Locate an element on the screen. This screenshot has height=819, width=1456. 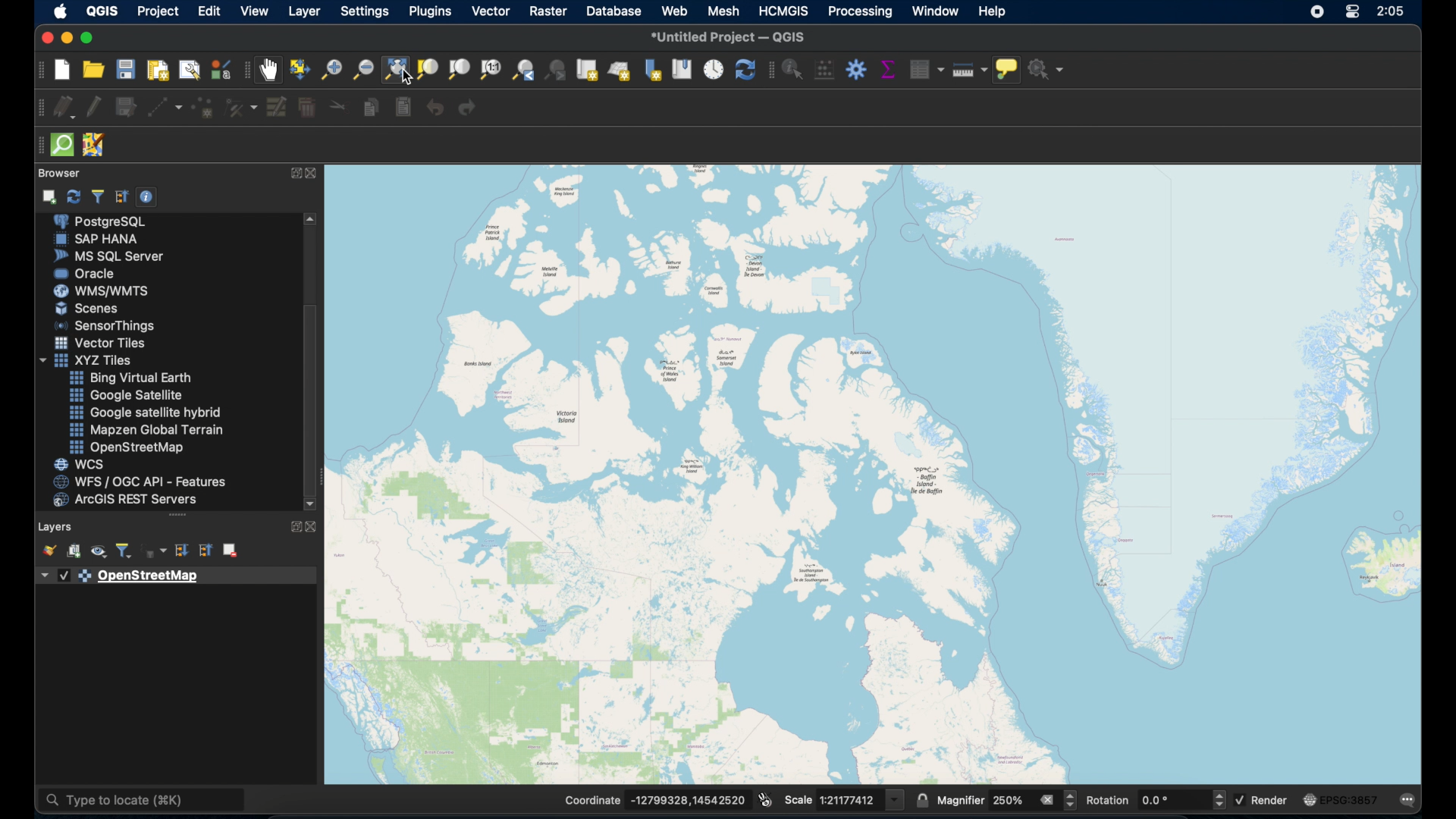
browser is located at coordinates (61, 173).